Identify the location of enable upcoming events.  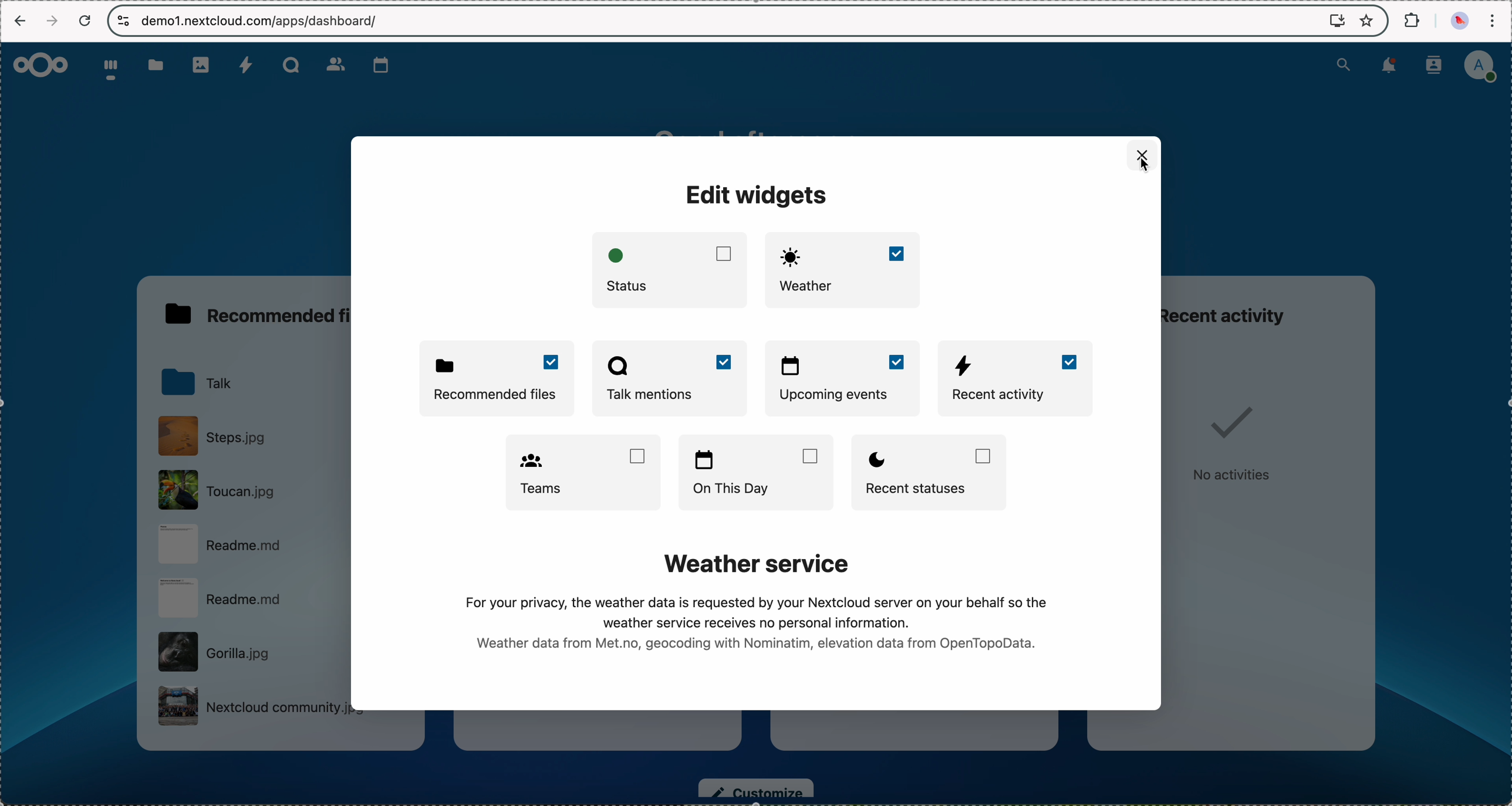
(844, 380).